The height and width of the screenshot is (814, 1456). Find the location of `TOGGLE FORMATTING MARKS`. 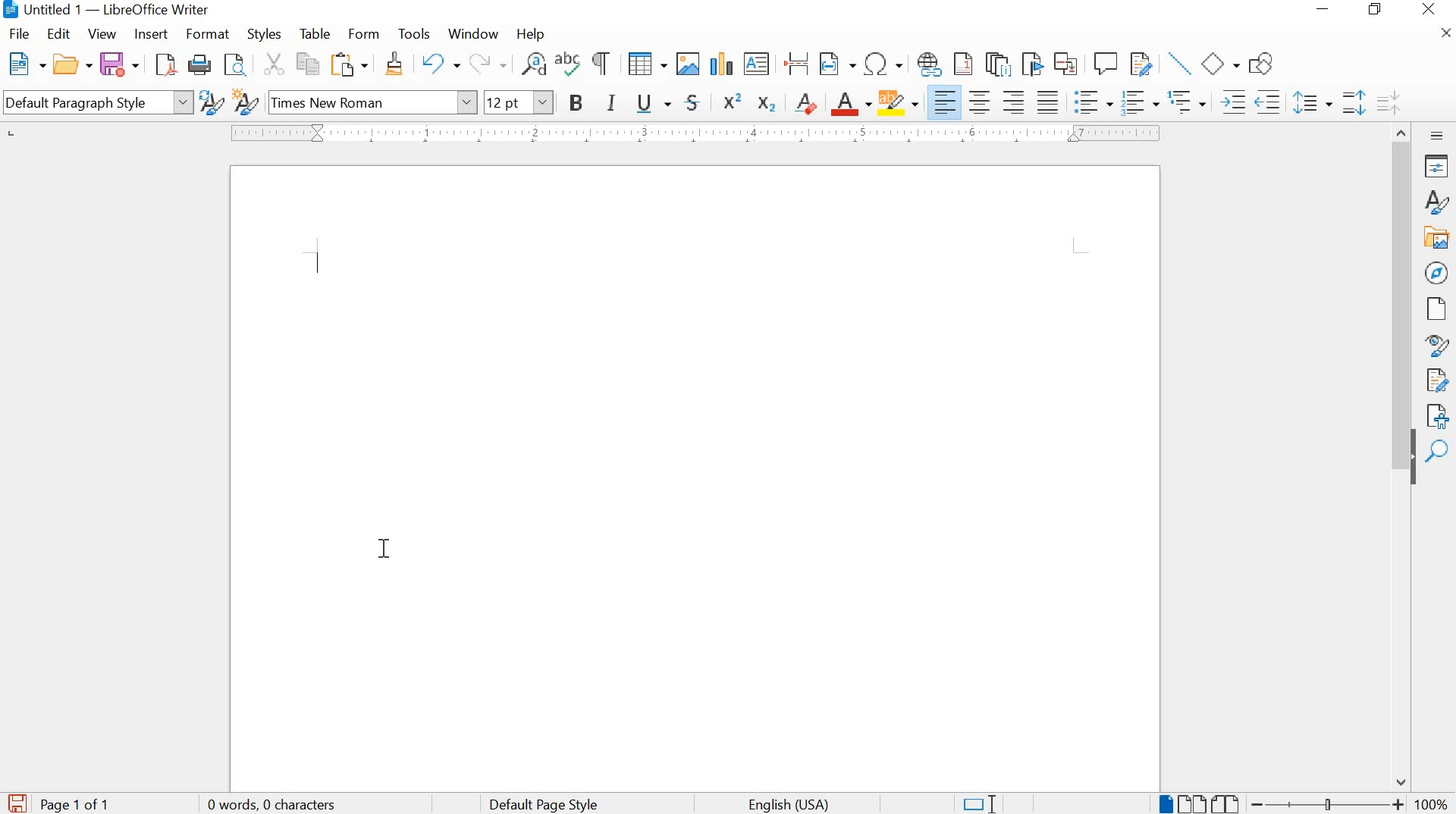

TOGGLE FORMATTING MARKS is located at coordinates (600, 64).